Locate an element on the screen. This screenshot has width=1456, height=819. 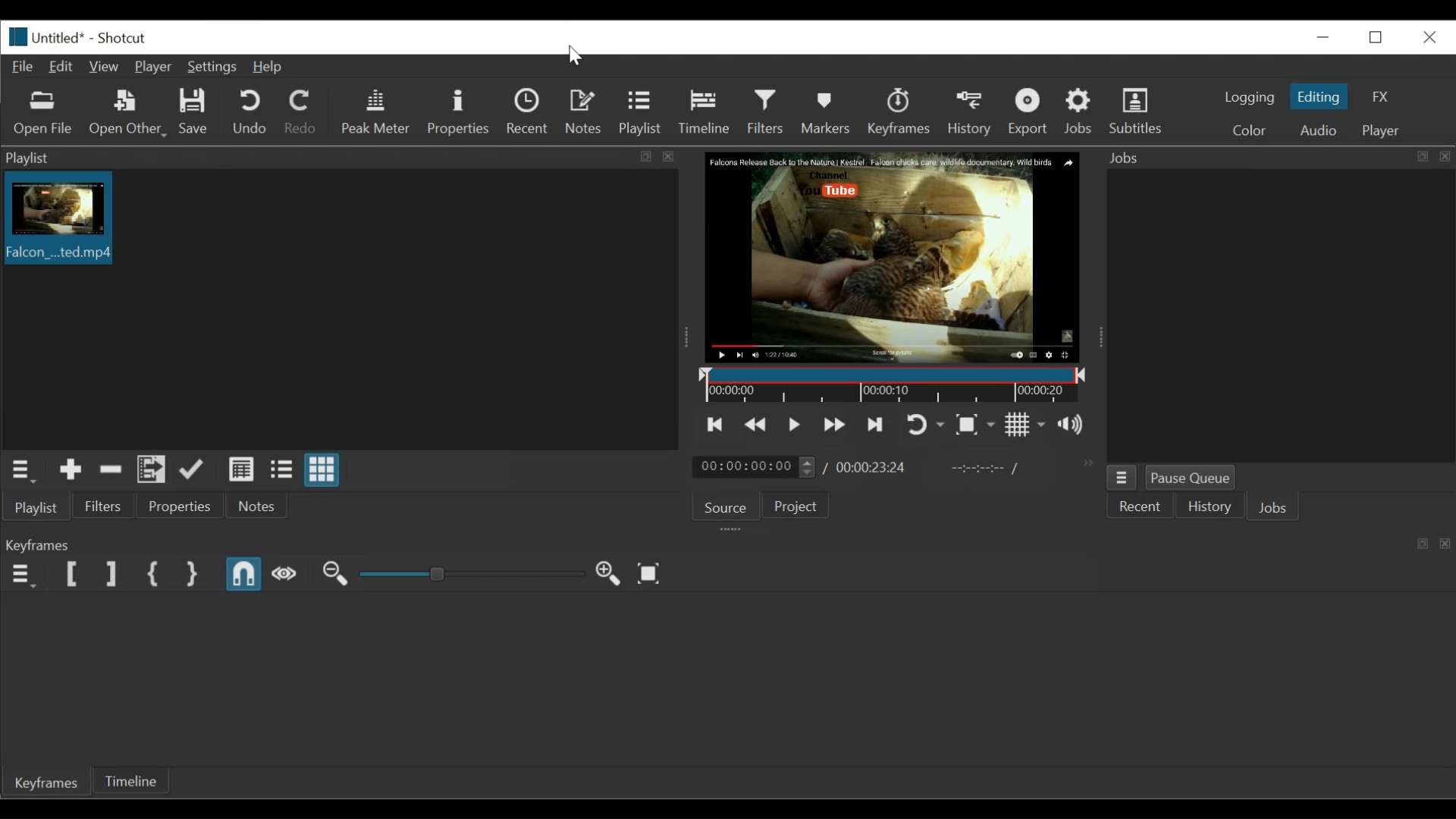
Help is located at coordinates (266, 67).